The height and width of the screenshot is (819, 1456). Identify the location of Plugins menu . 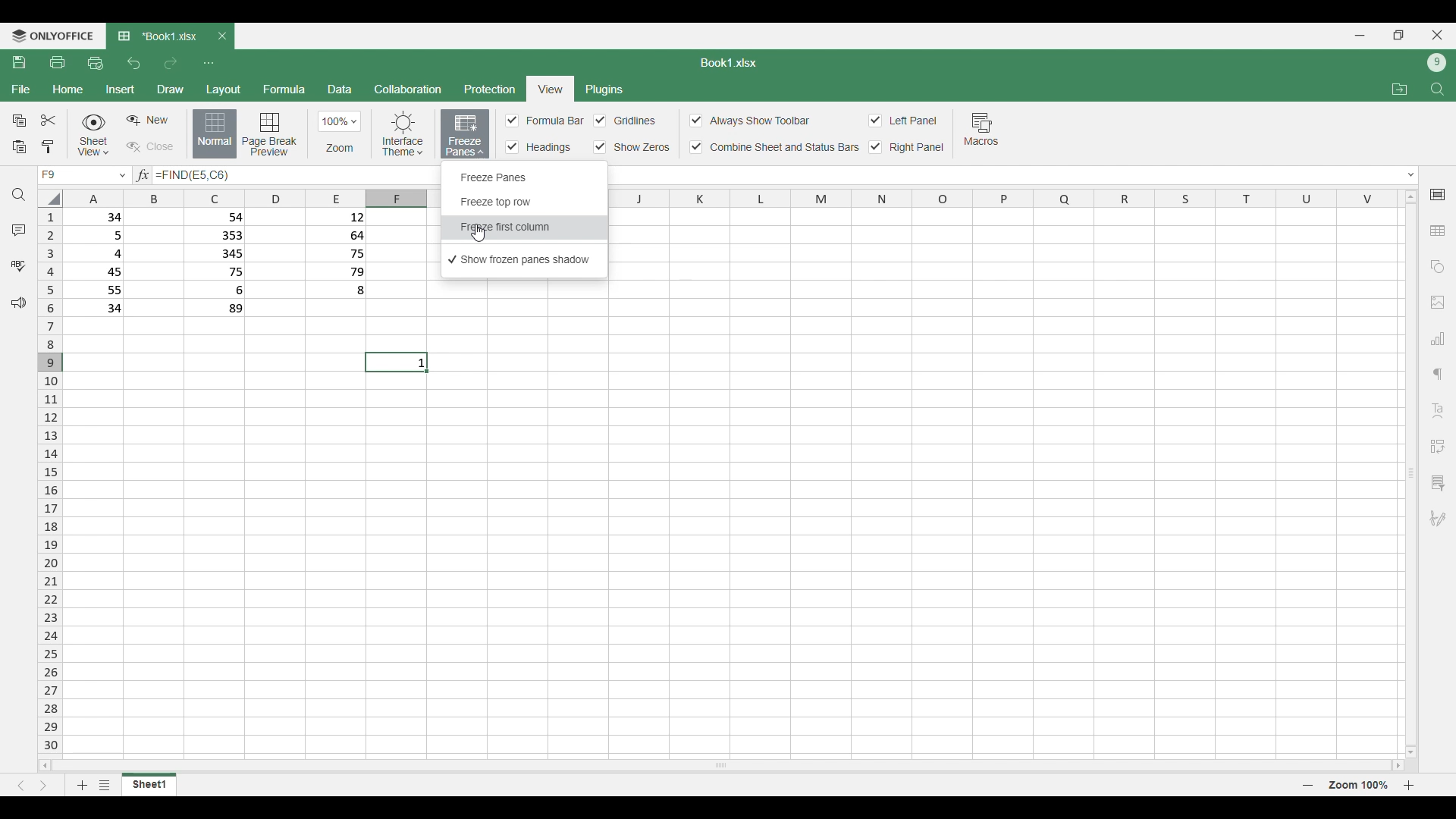
(604, 89).